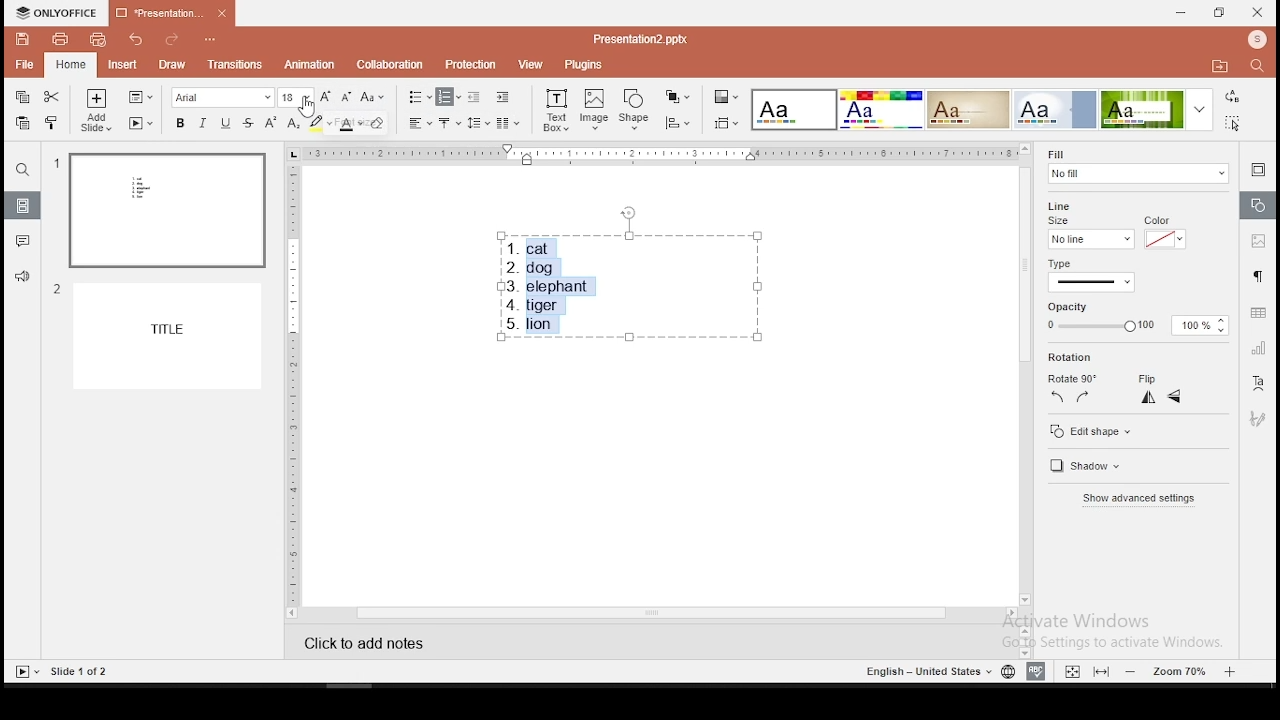 The width and height of the screenshot is (1280, 720). I want to click on presentation2.pptx, so click(641, 38).